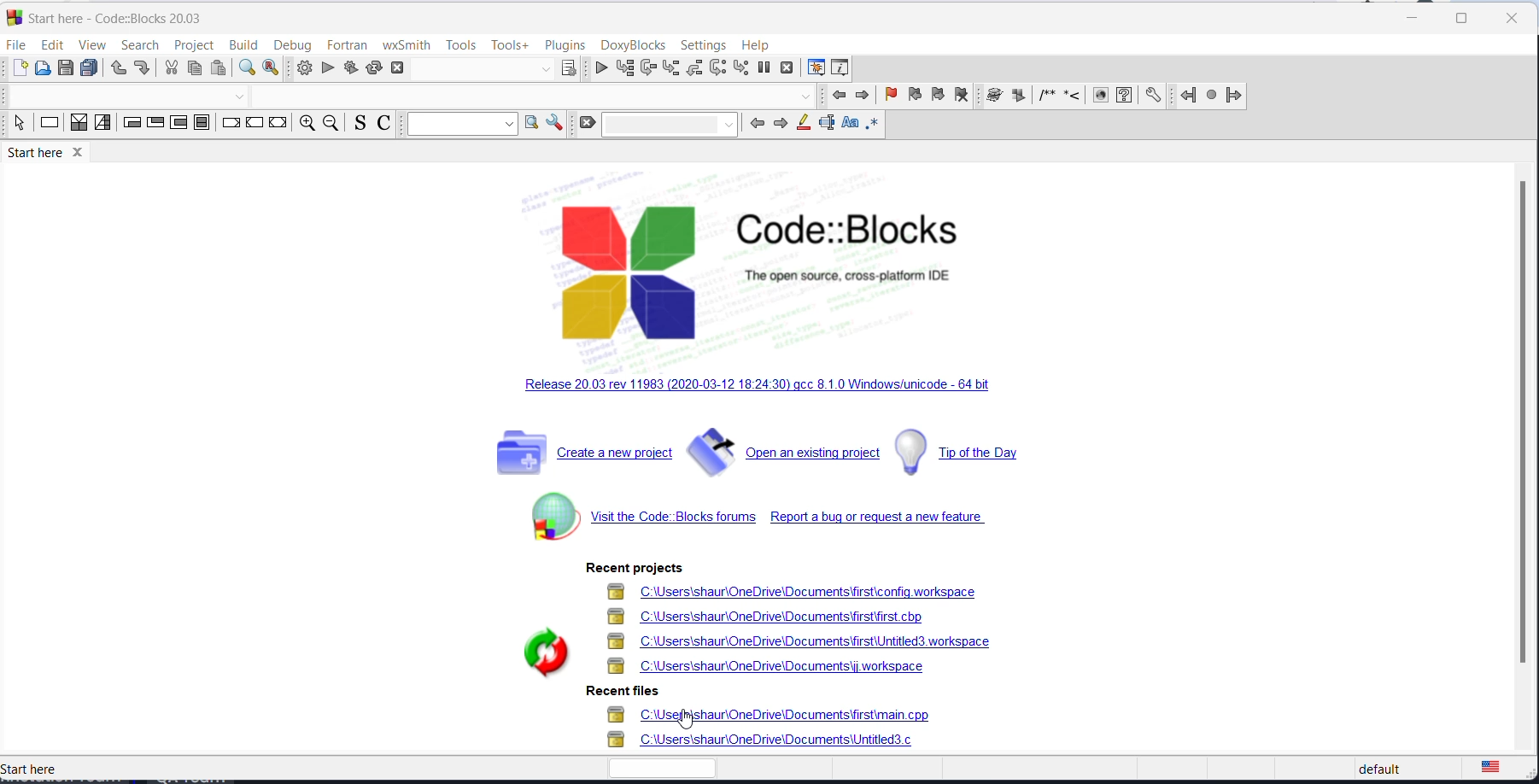 This screenshot has height=784, width=1539. Describe the element at coordinates (142, 67) in the screenshot. I see `REDO` at that location.